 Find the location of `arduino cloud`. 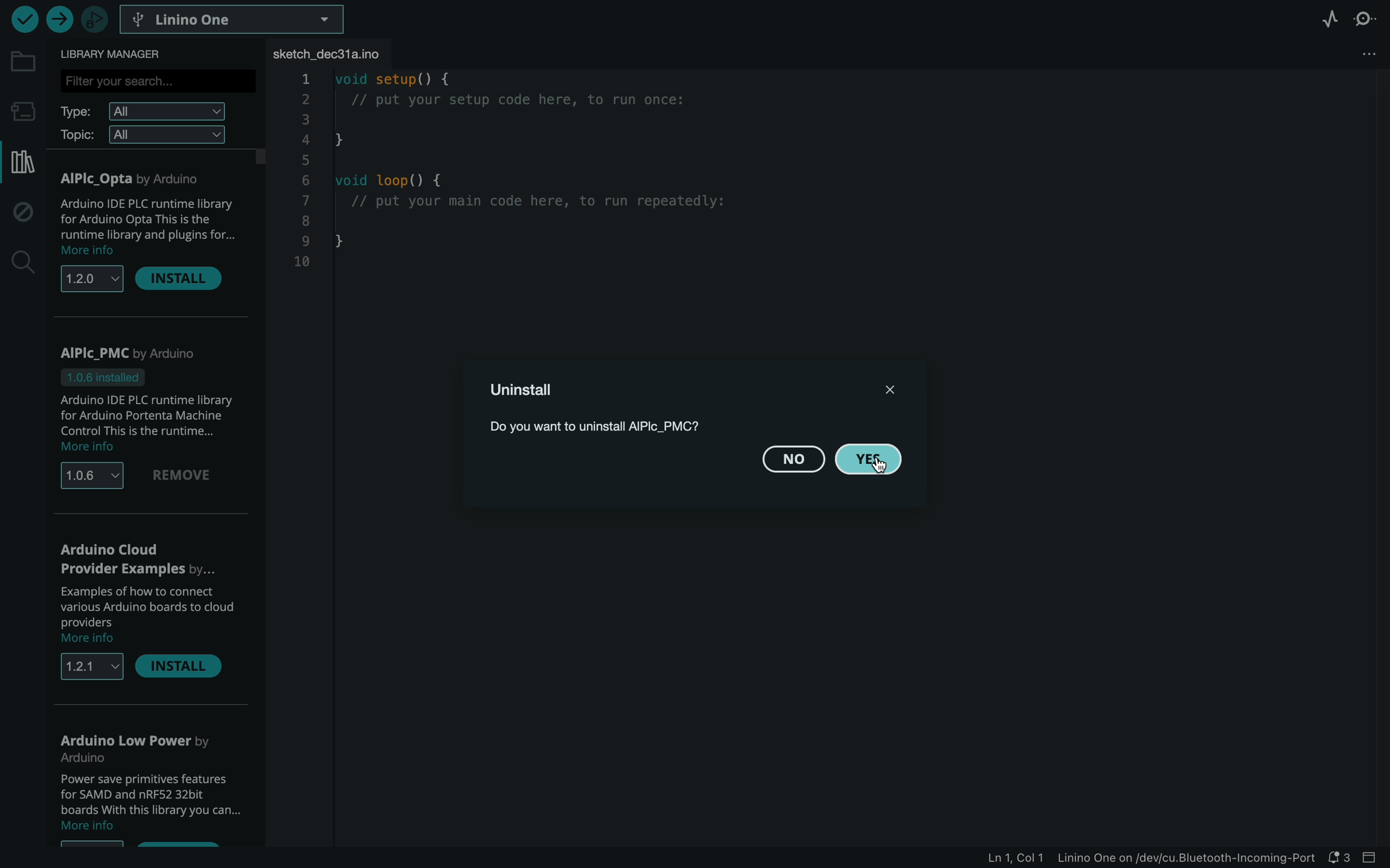

arduino cloud is located at coordinates (144, 559).